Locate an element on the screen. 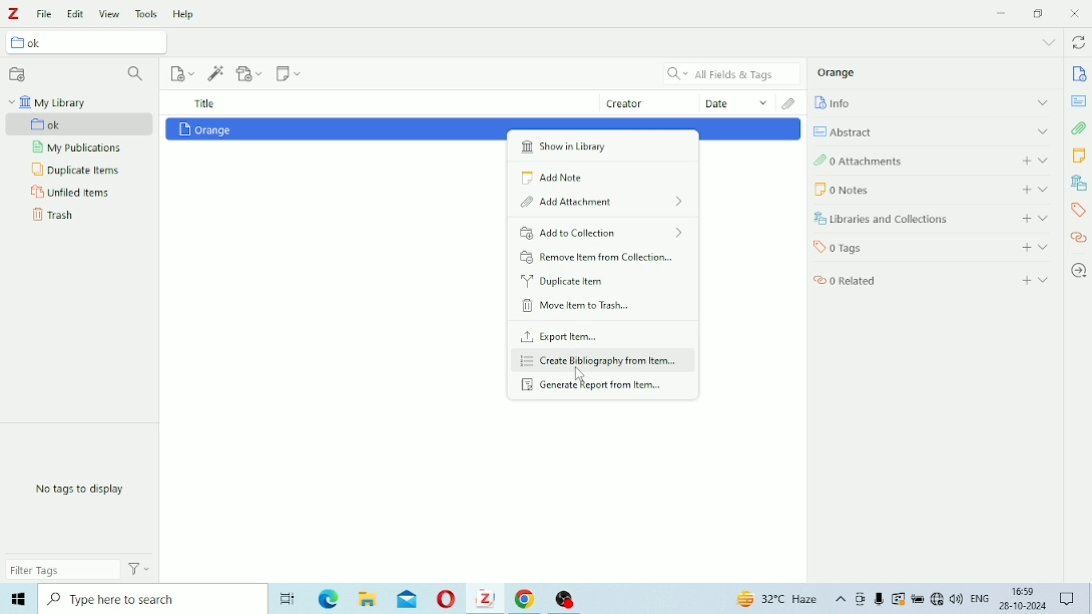 The width and height of the screenshot is (1092, 614). Libraries and Collections is located at coordinates (1078, 182).